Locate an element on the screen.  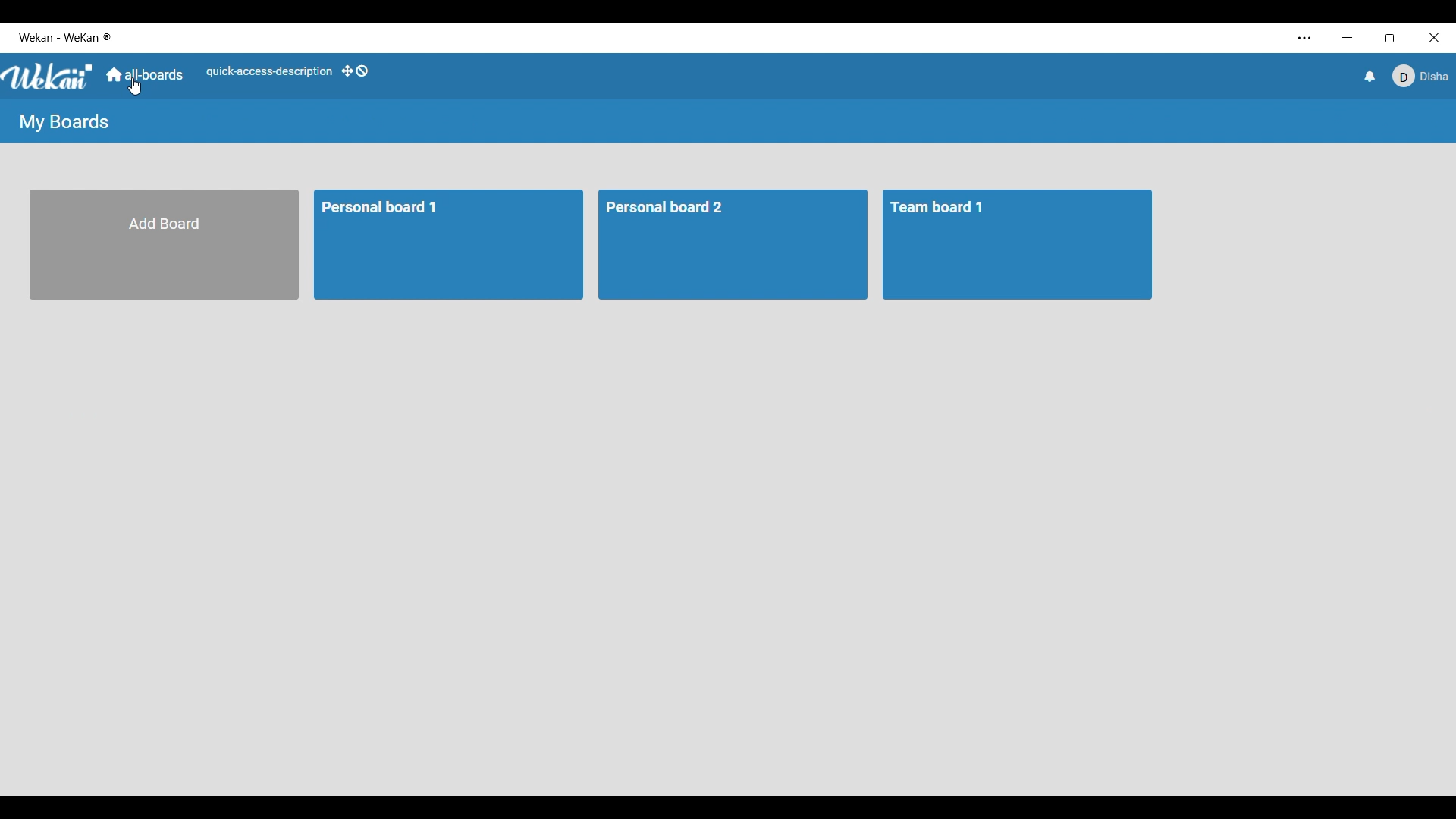
Add Board is located at coordinates (168, 243).